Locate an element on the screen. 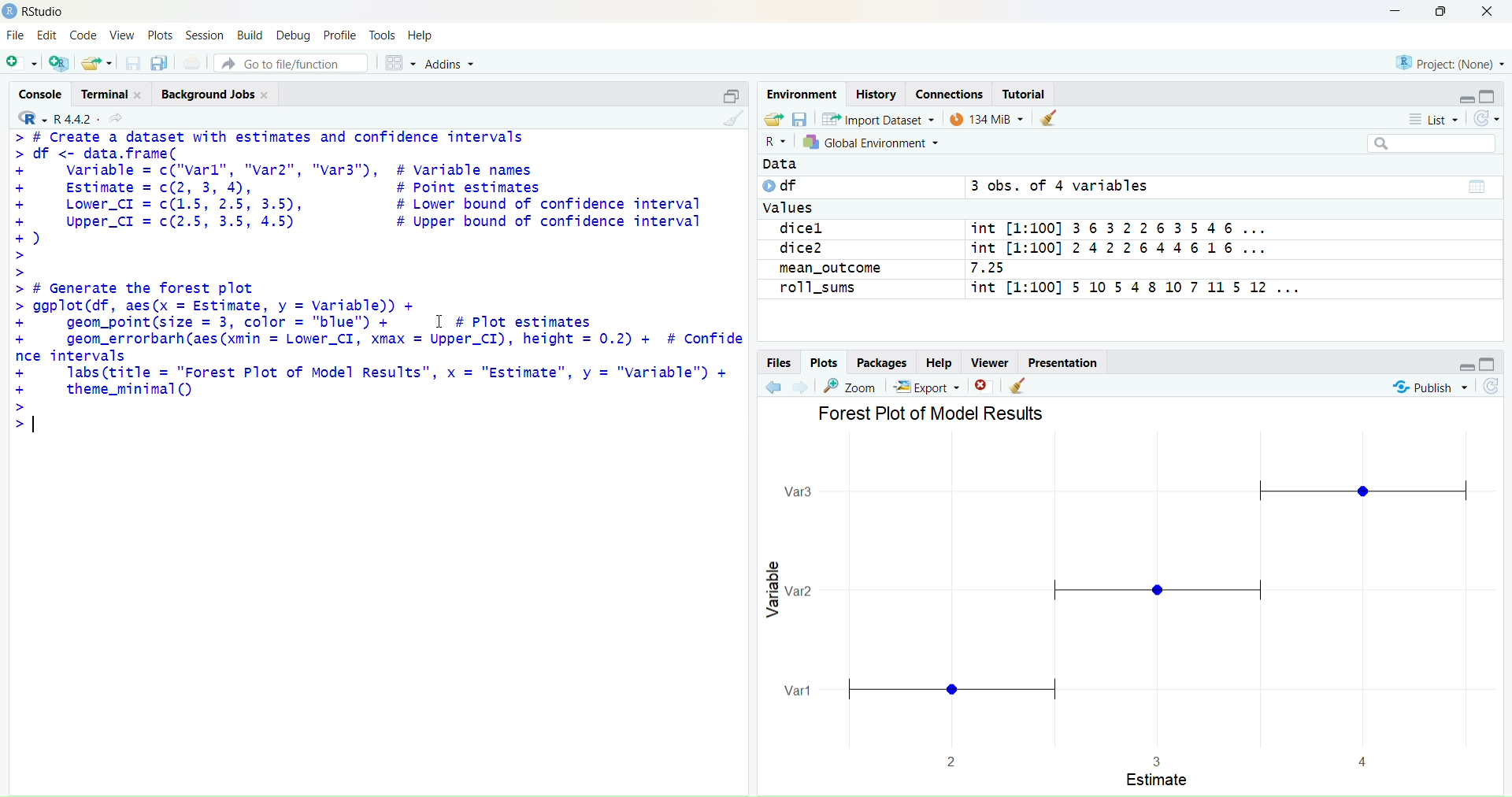 Image resolution: width=1512 pixels, height=797 pixels. Viewer is located at coordinates (989, 362).